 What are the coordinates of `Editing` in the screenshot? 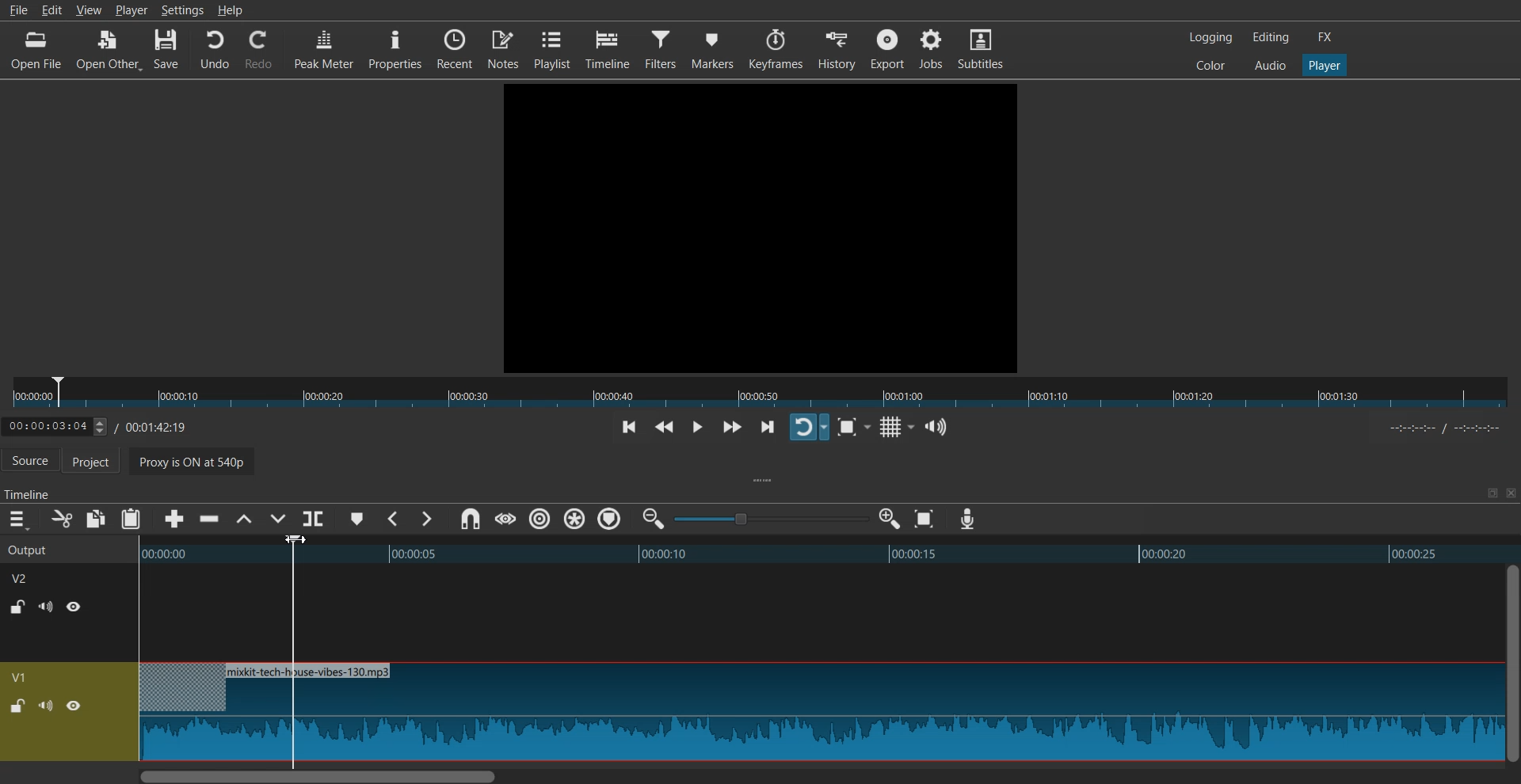 It's located at (1271, 36).